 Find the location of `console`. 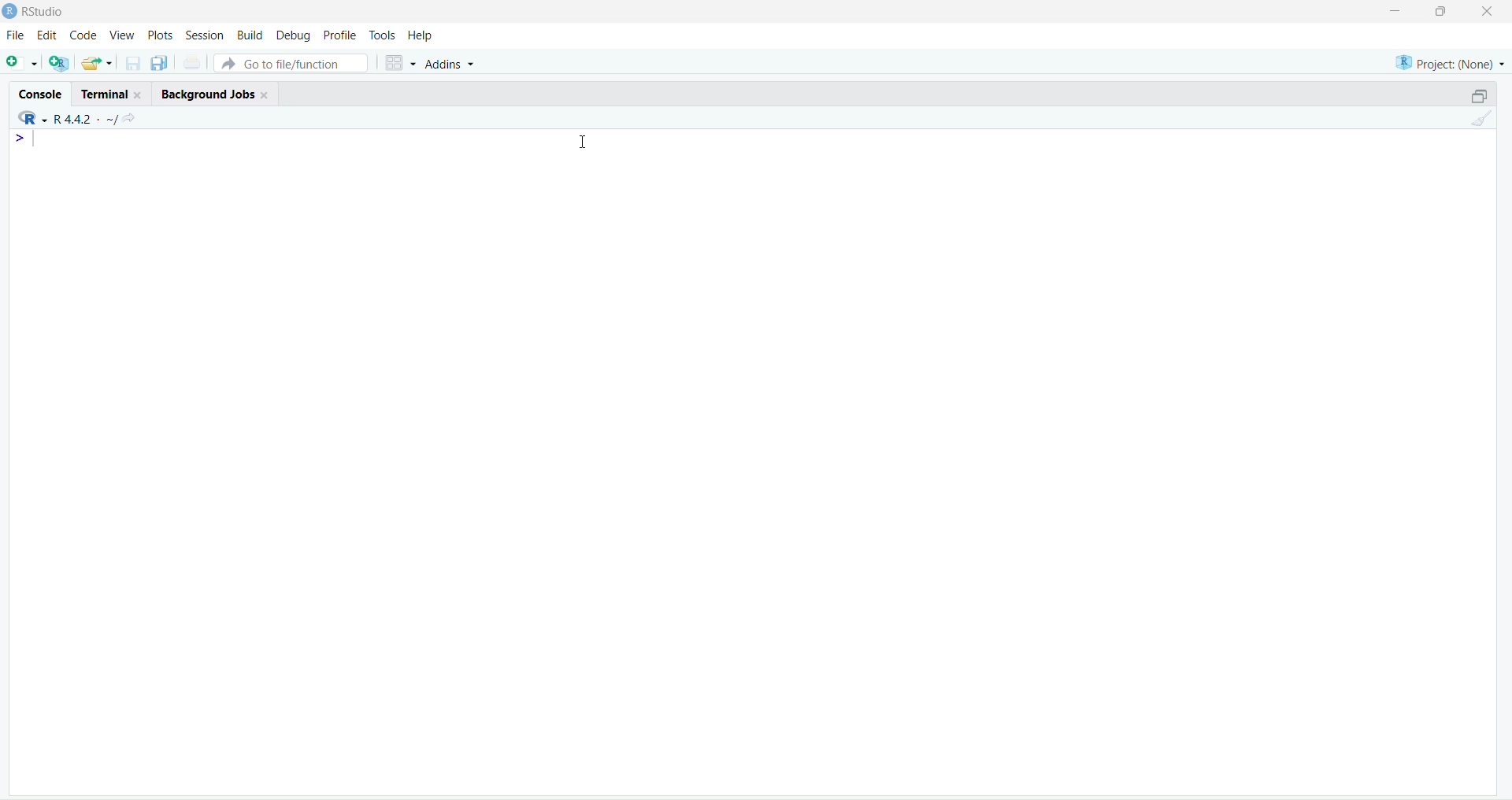

console is located at coordinates (42, 94).